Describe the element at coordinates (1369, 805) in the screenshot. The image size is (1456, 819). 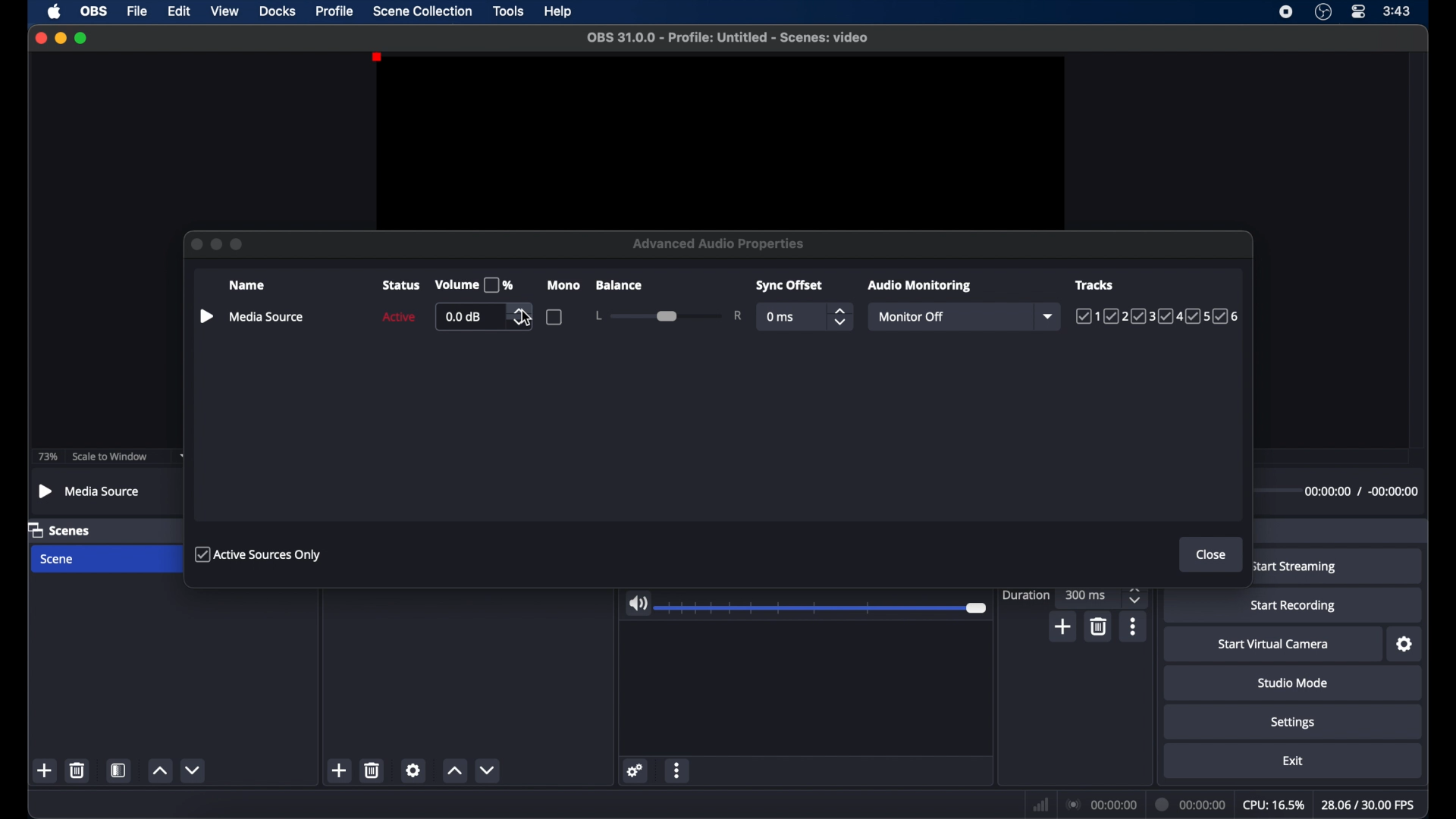
I see `28.06/30.00 fps` at that location.